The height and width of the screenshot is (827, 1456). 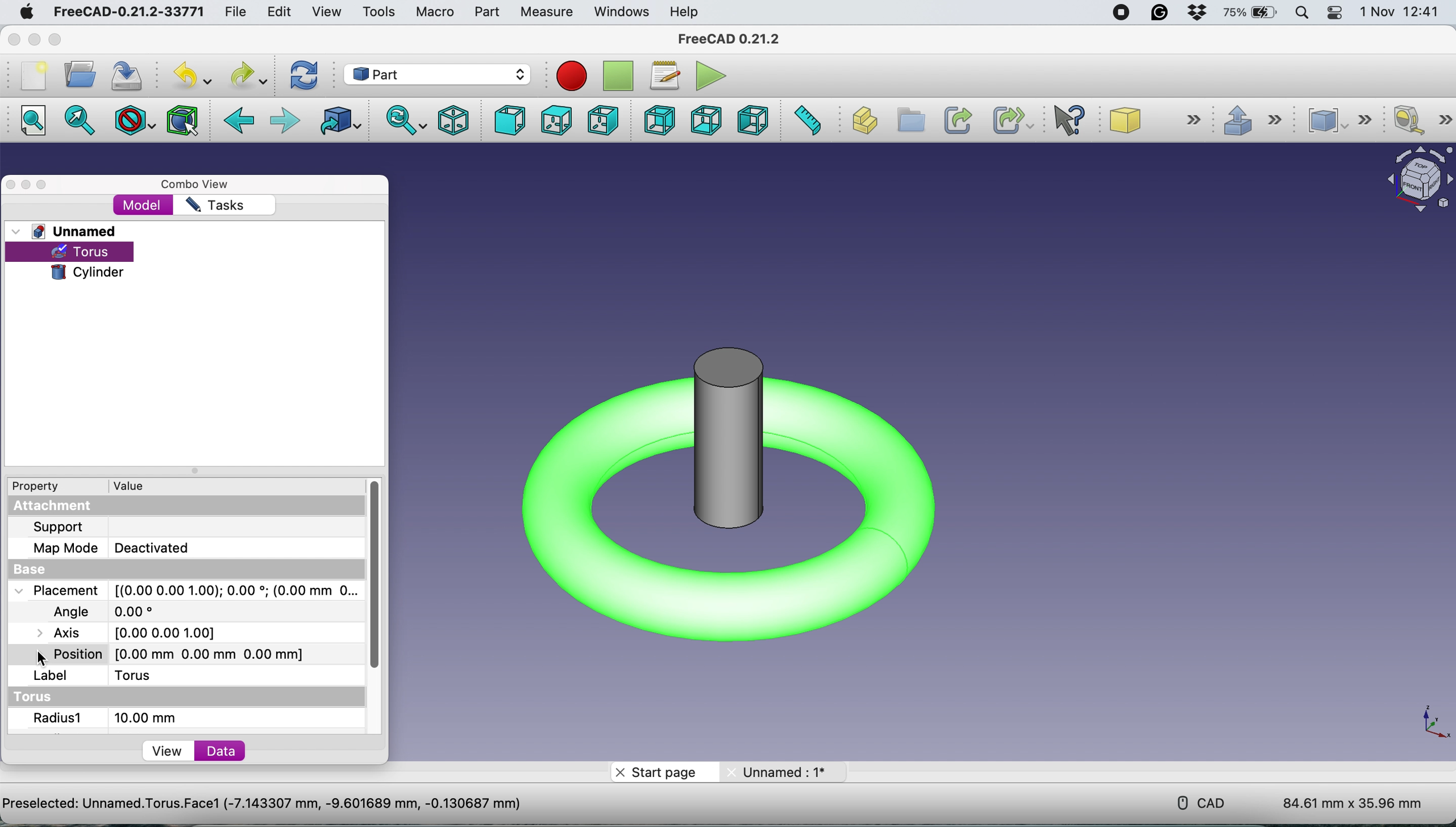 I want to click on measure, so click(x=543, y=11).